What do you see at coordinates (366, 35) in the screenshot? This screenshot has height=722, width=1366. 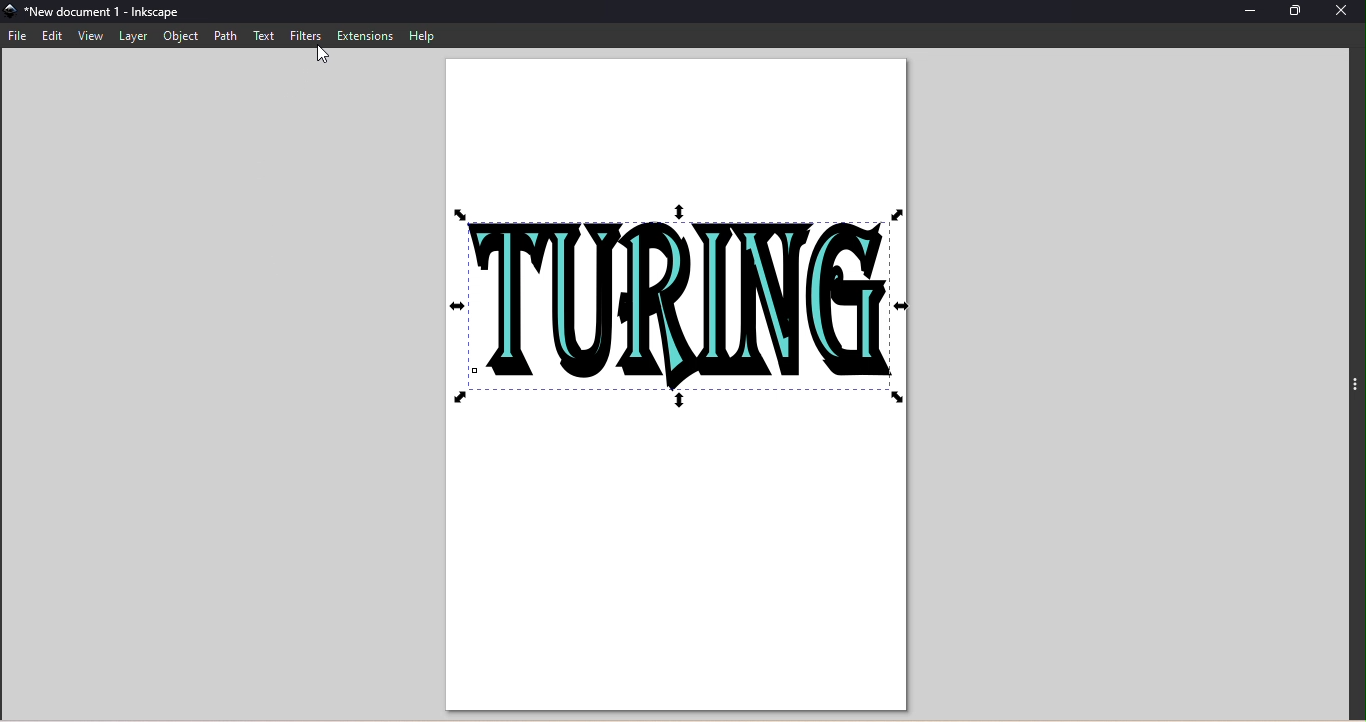 I see `Extensions` at bounding box center [366, 35].